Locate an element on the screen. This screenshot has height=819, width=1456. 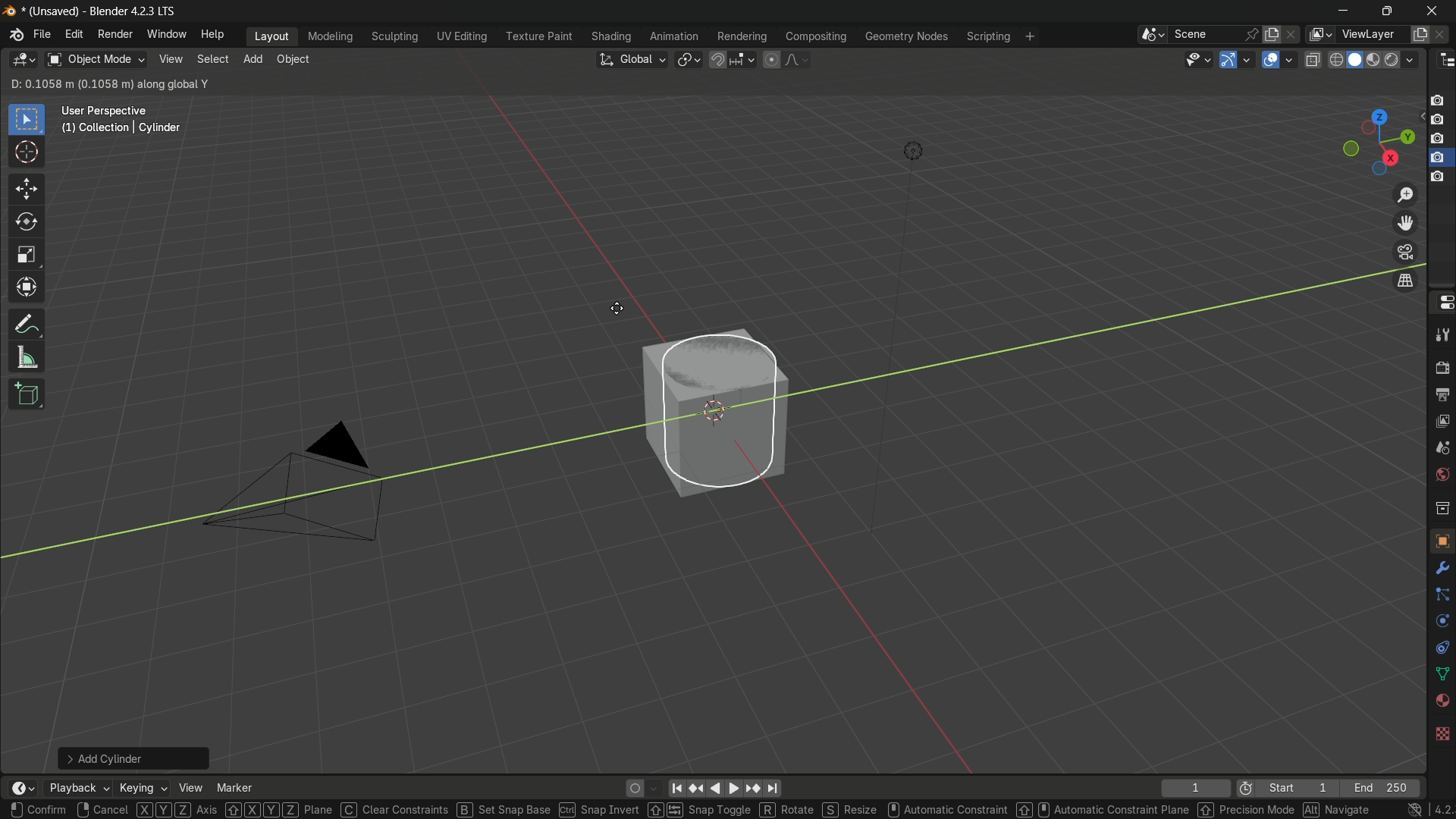
line connecter is located at coordinates (1436, 595).